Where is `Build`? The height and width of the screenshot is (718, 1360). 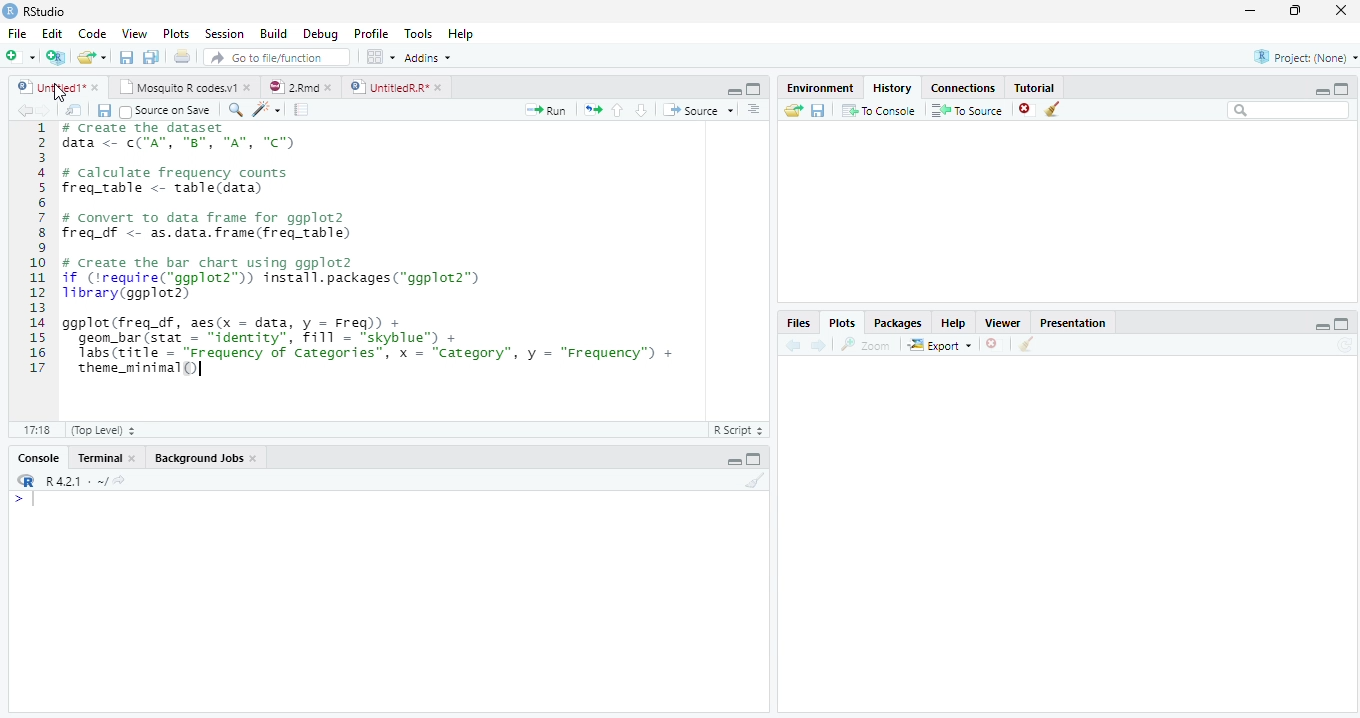 Build is located at coordinates (275, 34).